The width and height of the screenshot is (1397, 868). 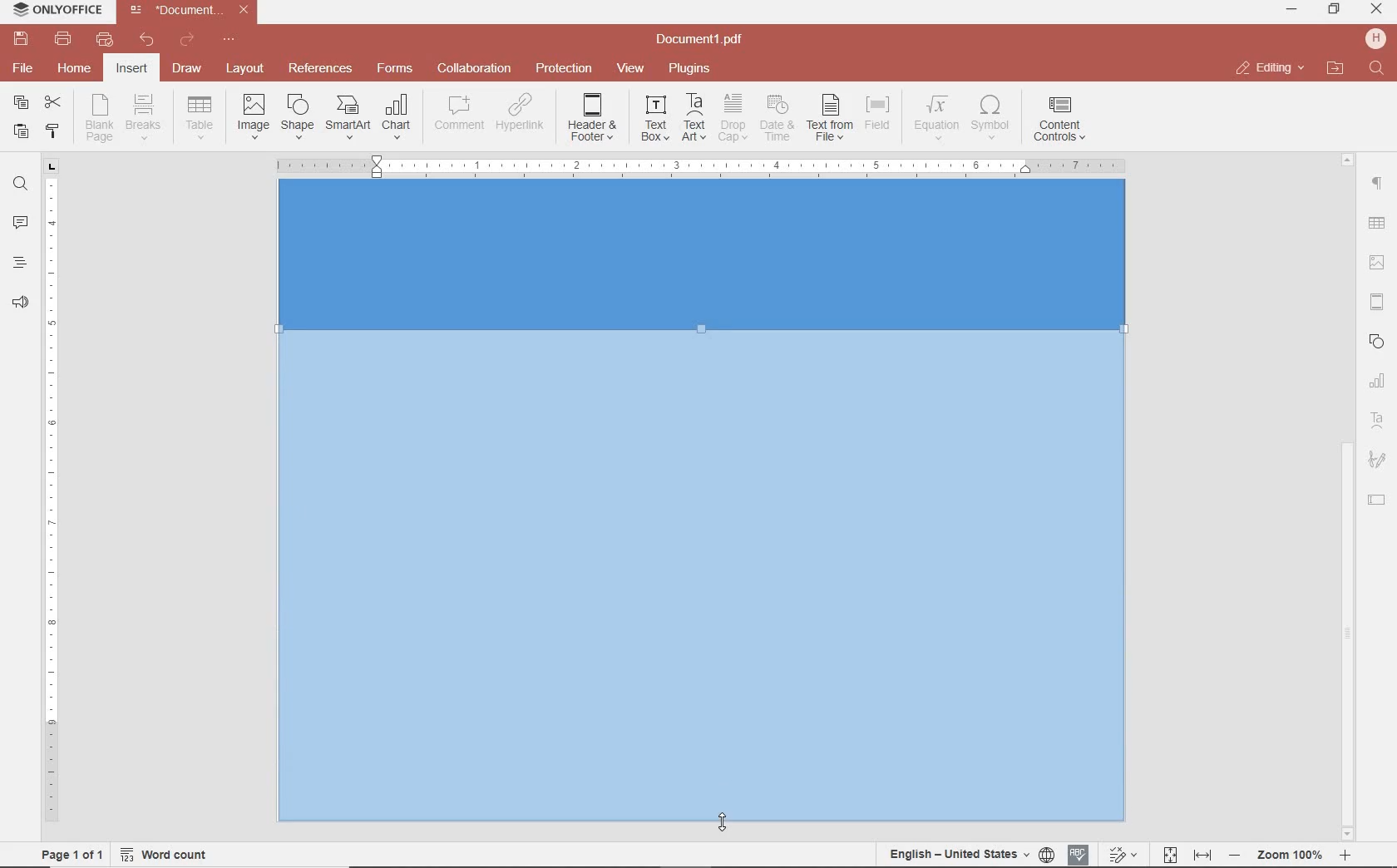 I want to click on plugins, so click(x=693, y=69).